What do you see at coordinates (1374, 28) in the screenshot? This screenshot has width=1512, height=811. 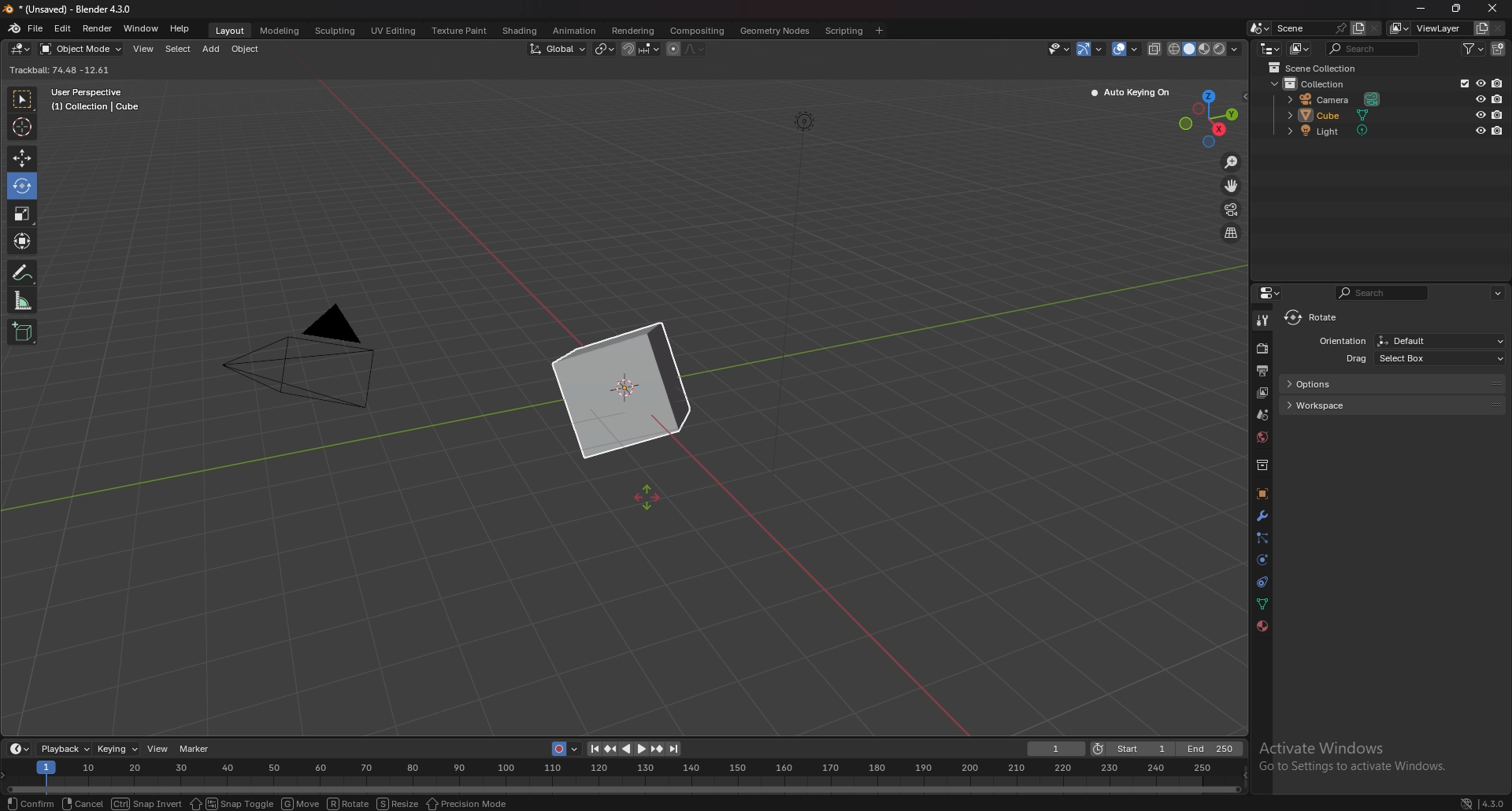 I see `delete scene` at bounding box center [1374, 28].